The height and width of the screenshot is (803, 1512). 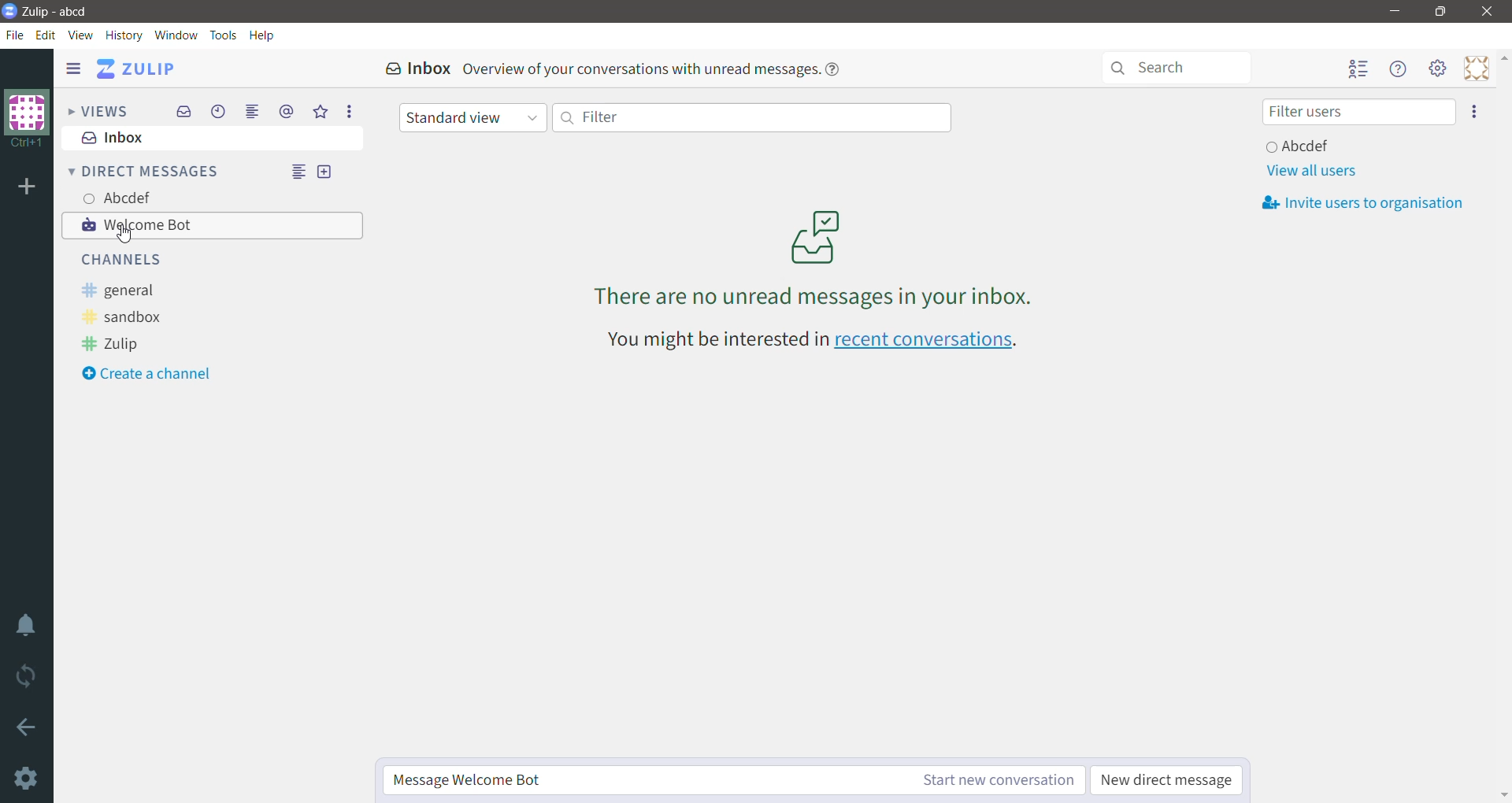 I want to click on Invite users to organization, so click(x=1363, y=203).